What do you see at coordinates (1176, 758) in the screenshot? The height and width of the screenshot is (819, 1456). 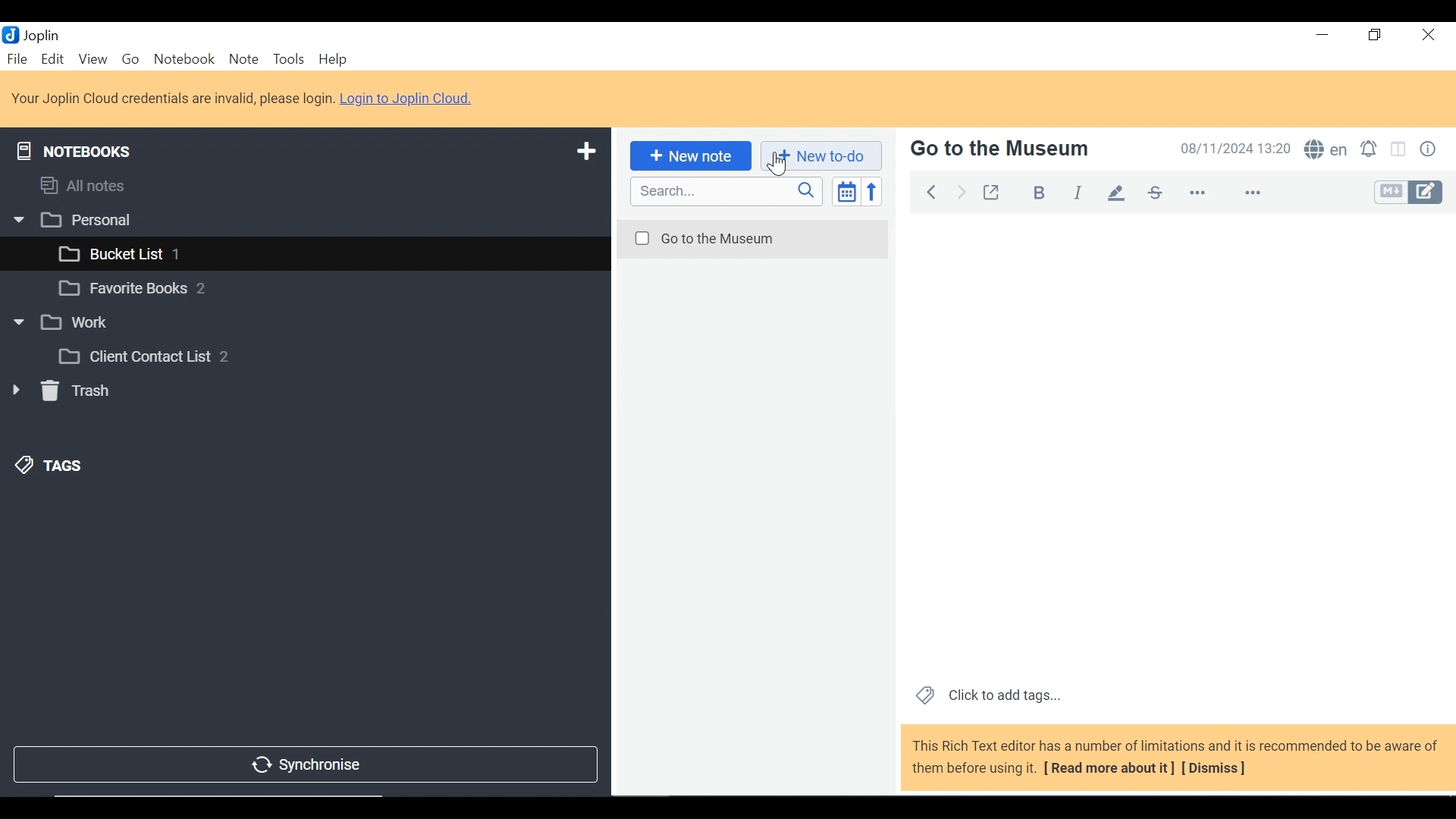 I see `This Rich Text editor has a number of limitations and it is recommended to be aware of them before using it` at bounding box center [1176, 758].